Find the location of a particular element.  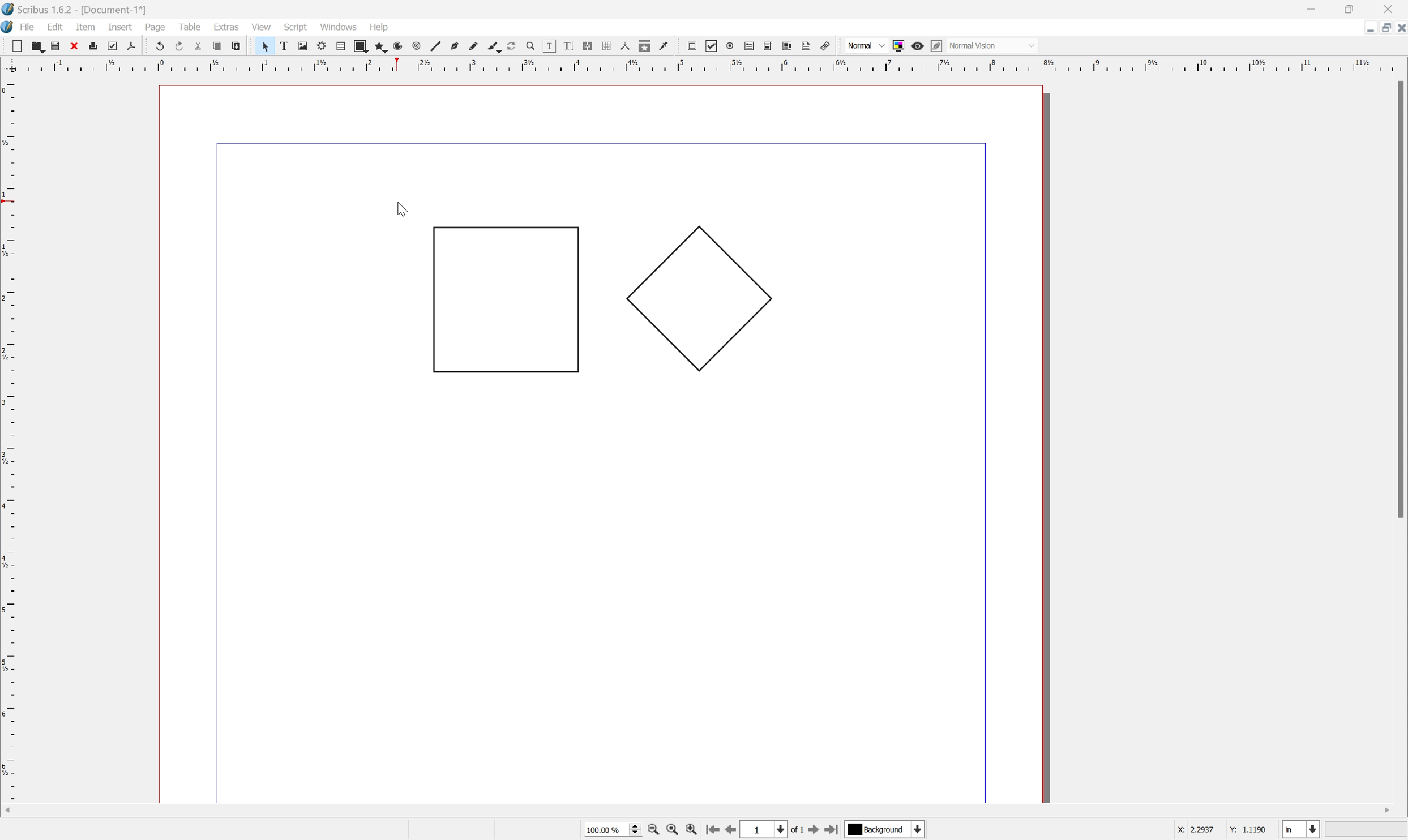

Minimize is located at coordinates (1365, 29).